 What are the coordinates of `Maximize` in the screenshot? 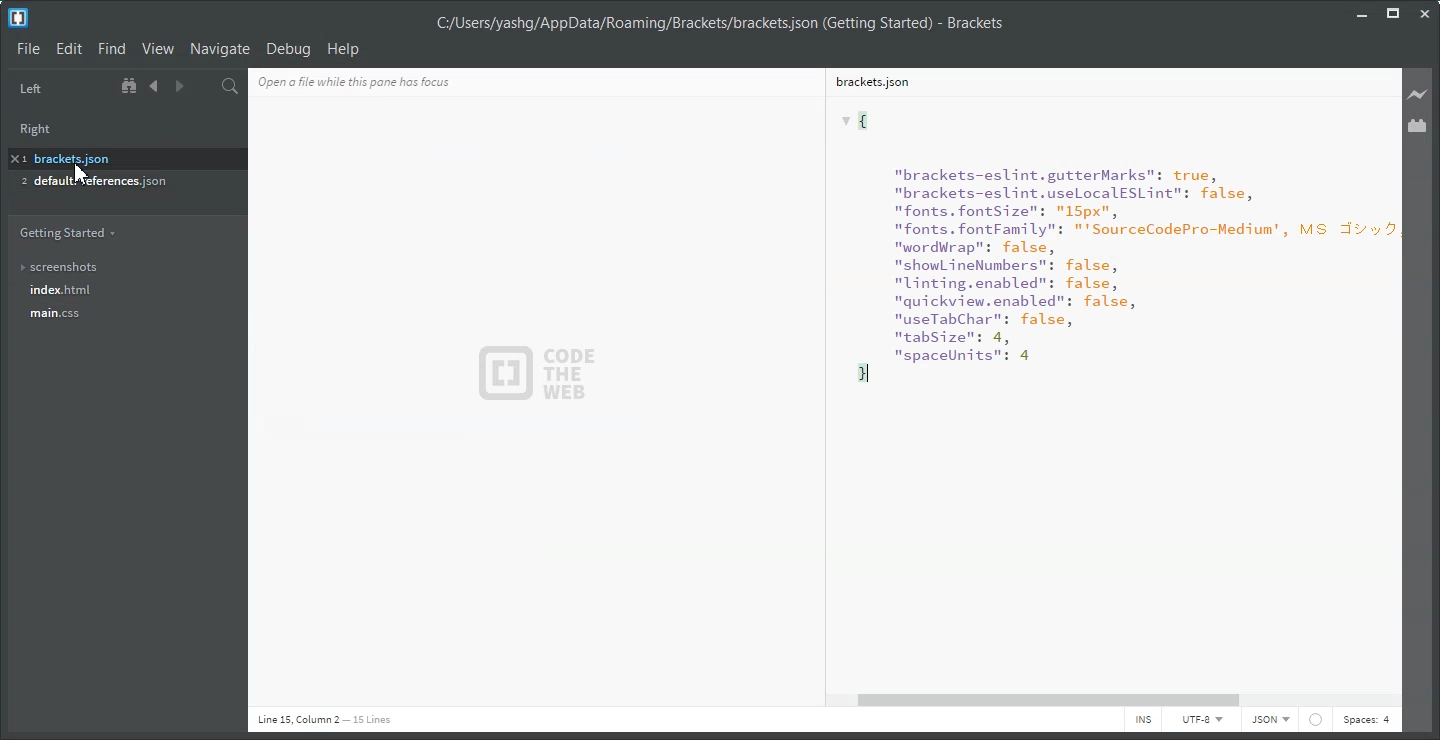 It's located at (1393, 13).